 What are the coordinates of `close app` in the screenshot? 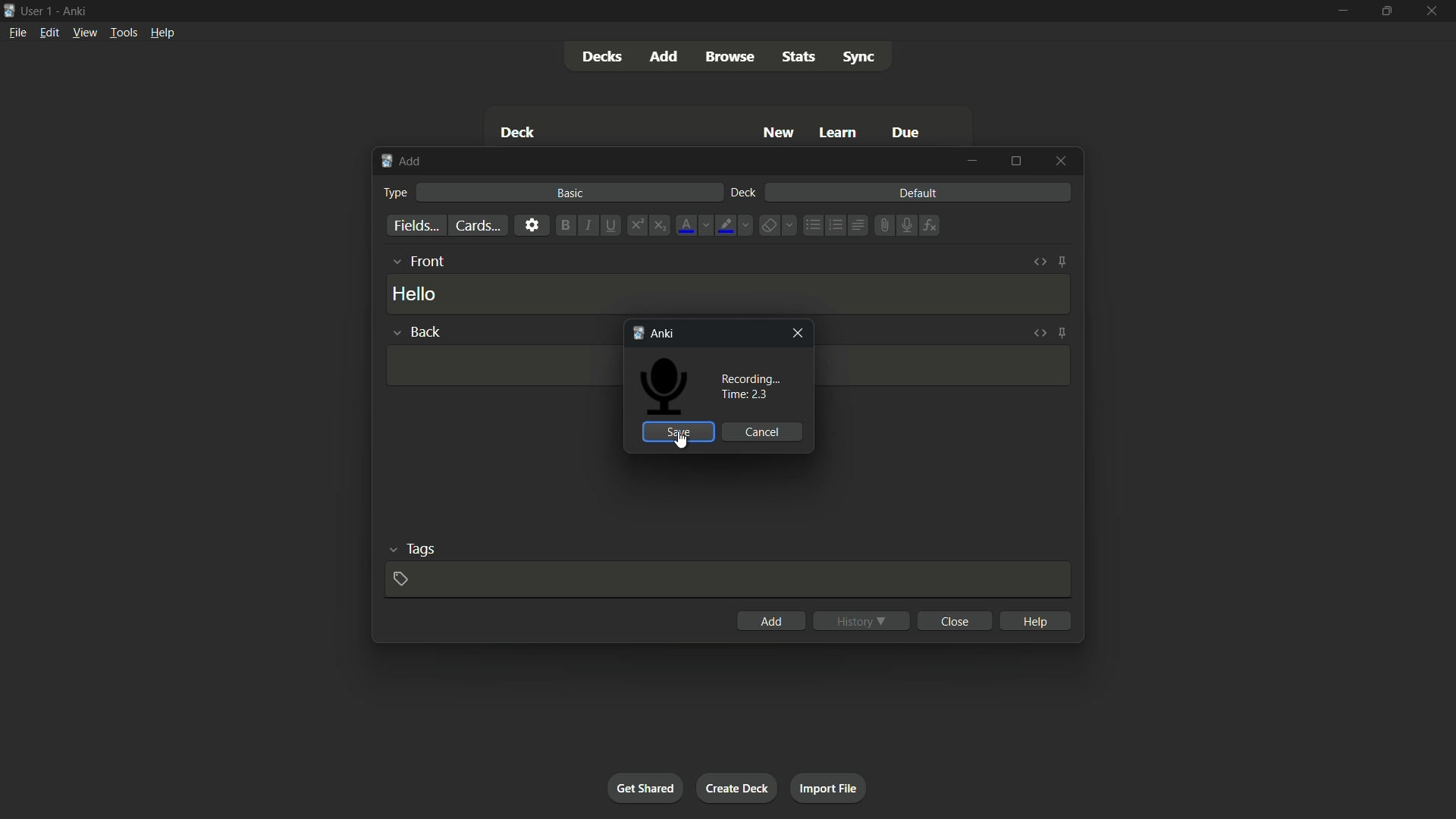 It's located at (1436, 12).